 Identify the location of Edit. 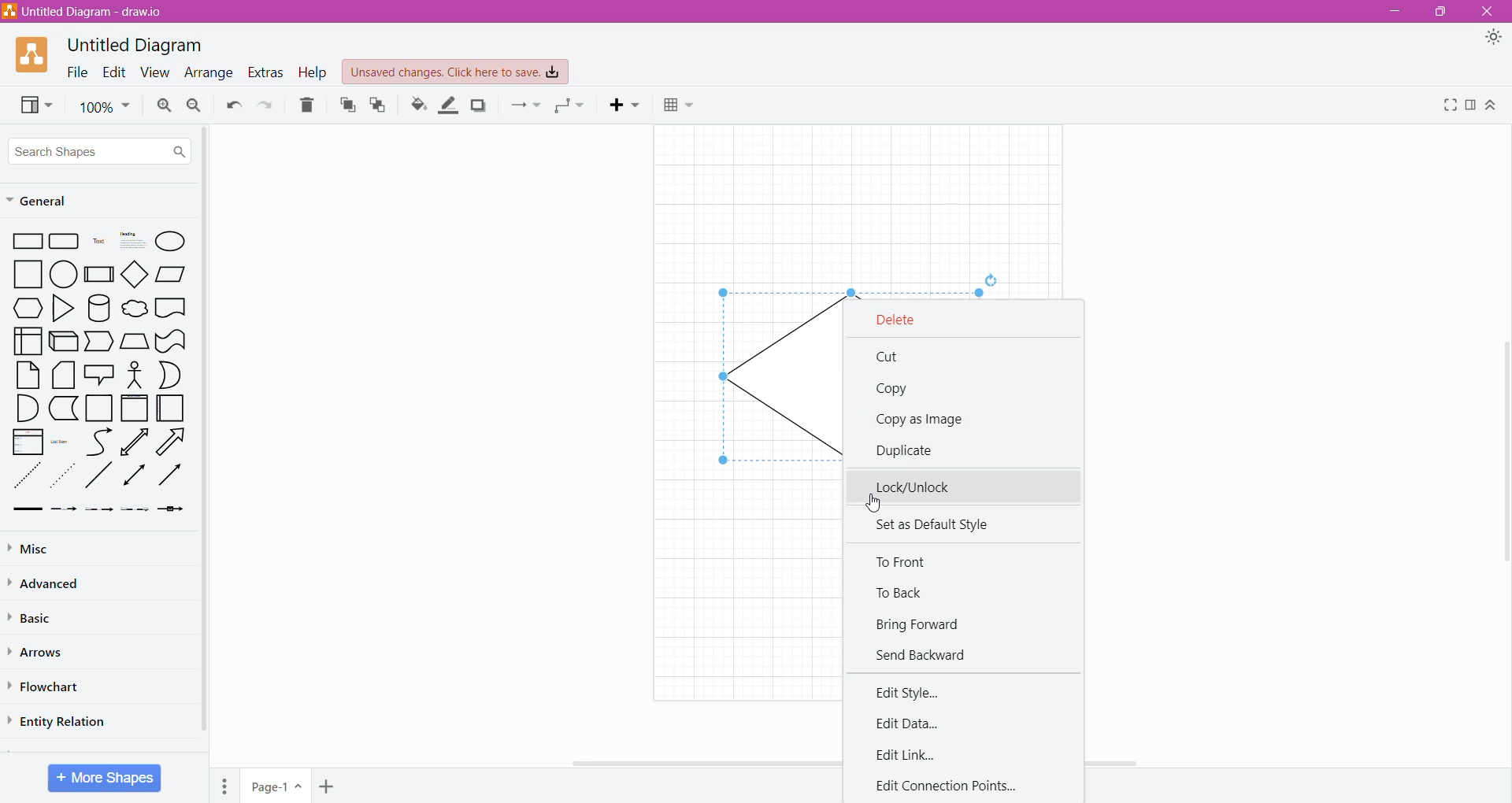
(114, 73).